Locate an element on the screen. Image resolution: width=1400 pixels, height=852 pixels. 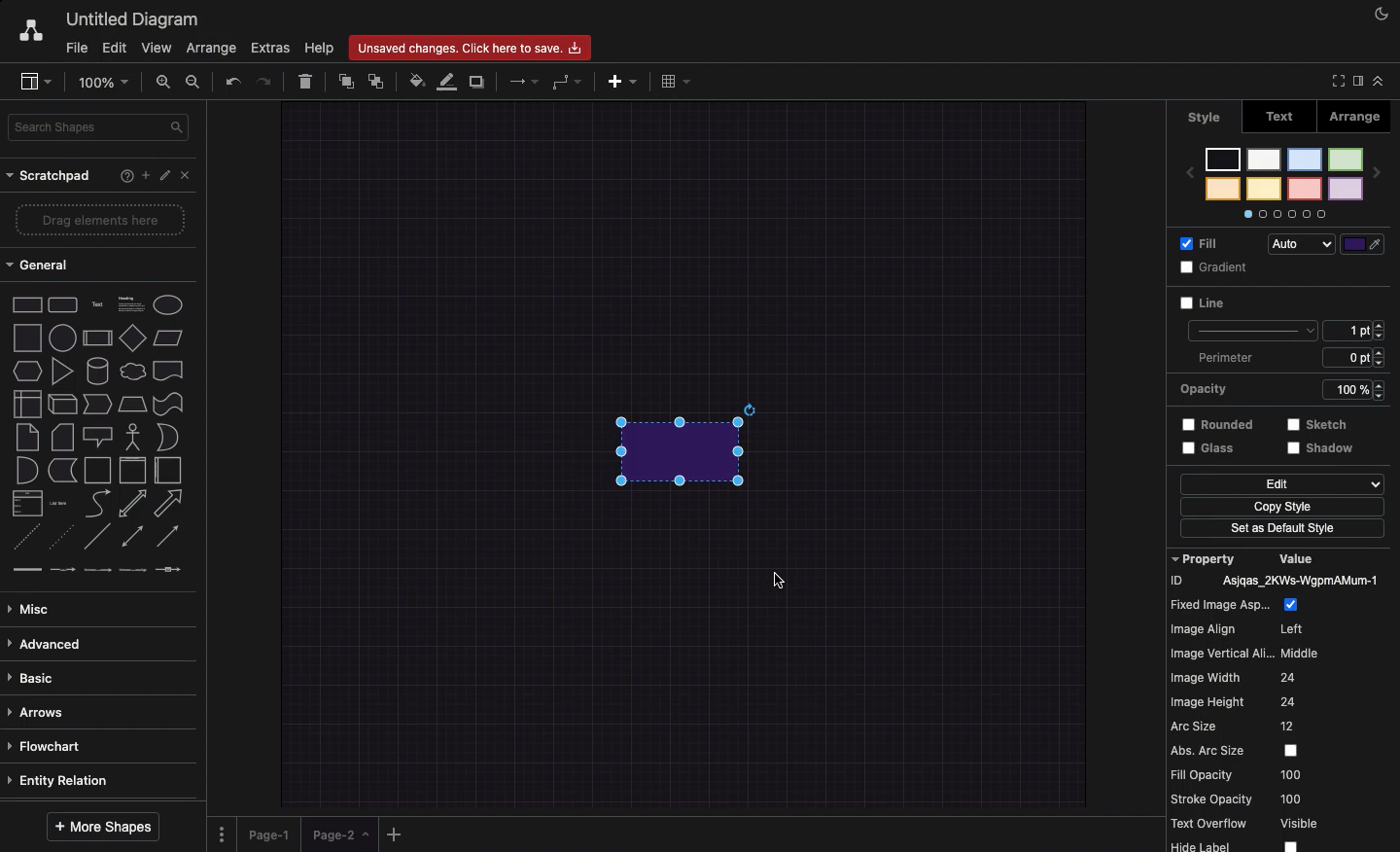
Redo is located at coordinates (266, 80).